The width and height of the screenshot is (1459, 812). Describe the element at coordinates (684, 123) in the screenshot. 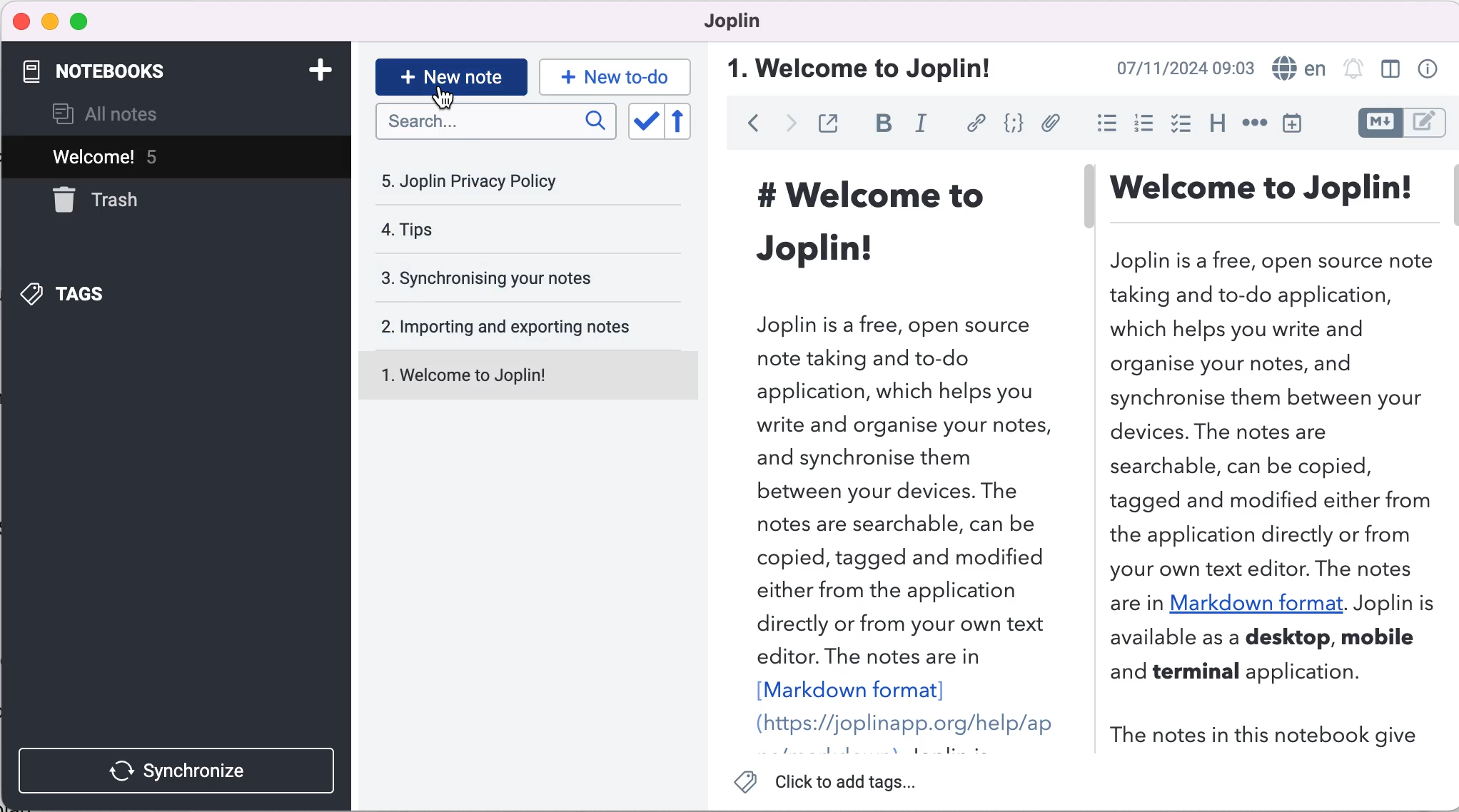

I see `reverse sort order` at that location.